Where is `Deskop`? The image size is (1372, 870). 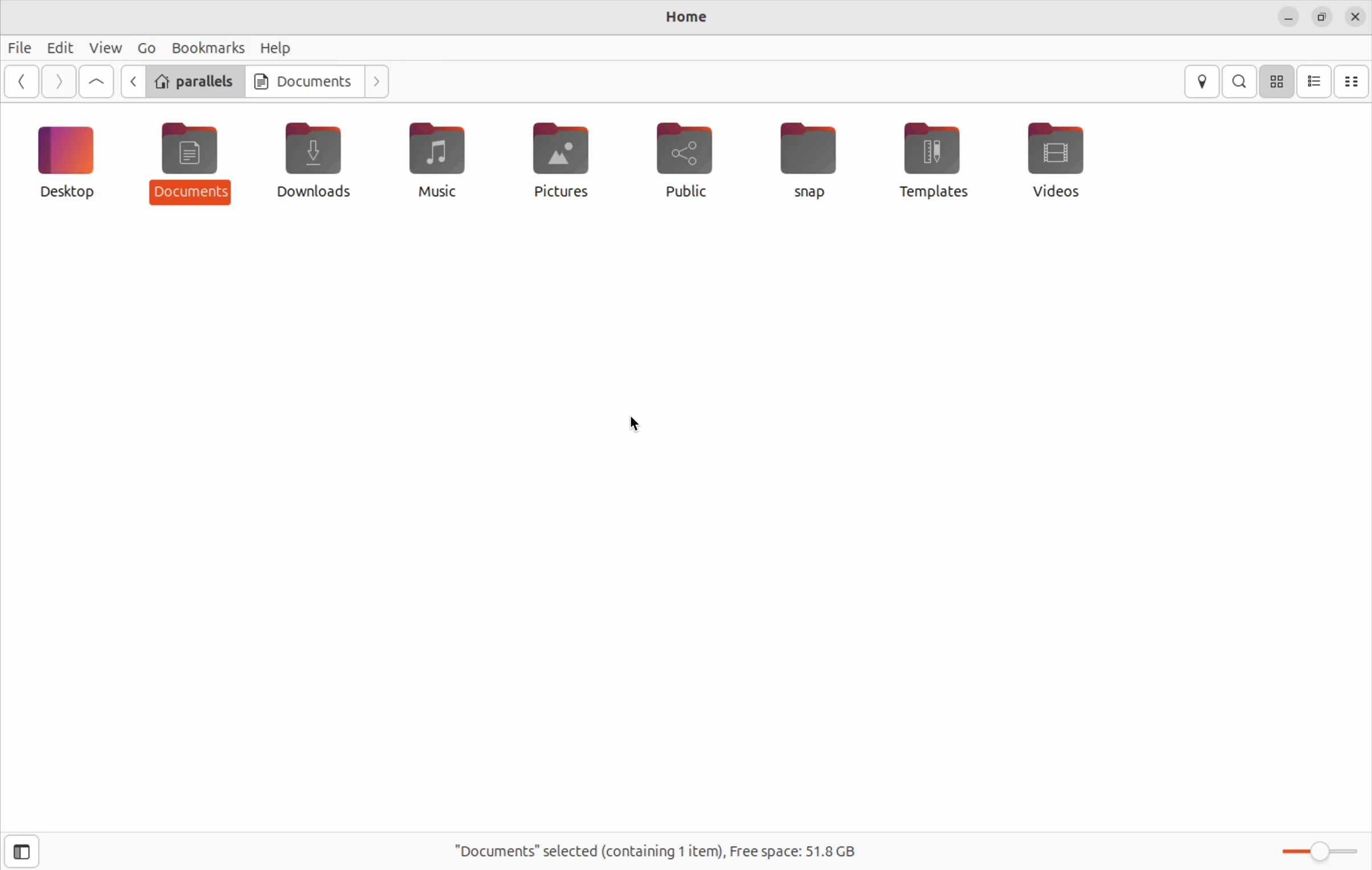
Deskop is located at coordinates (69, 163).